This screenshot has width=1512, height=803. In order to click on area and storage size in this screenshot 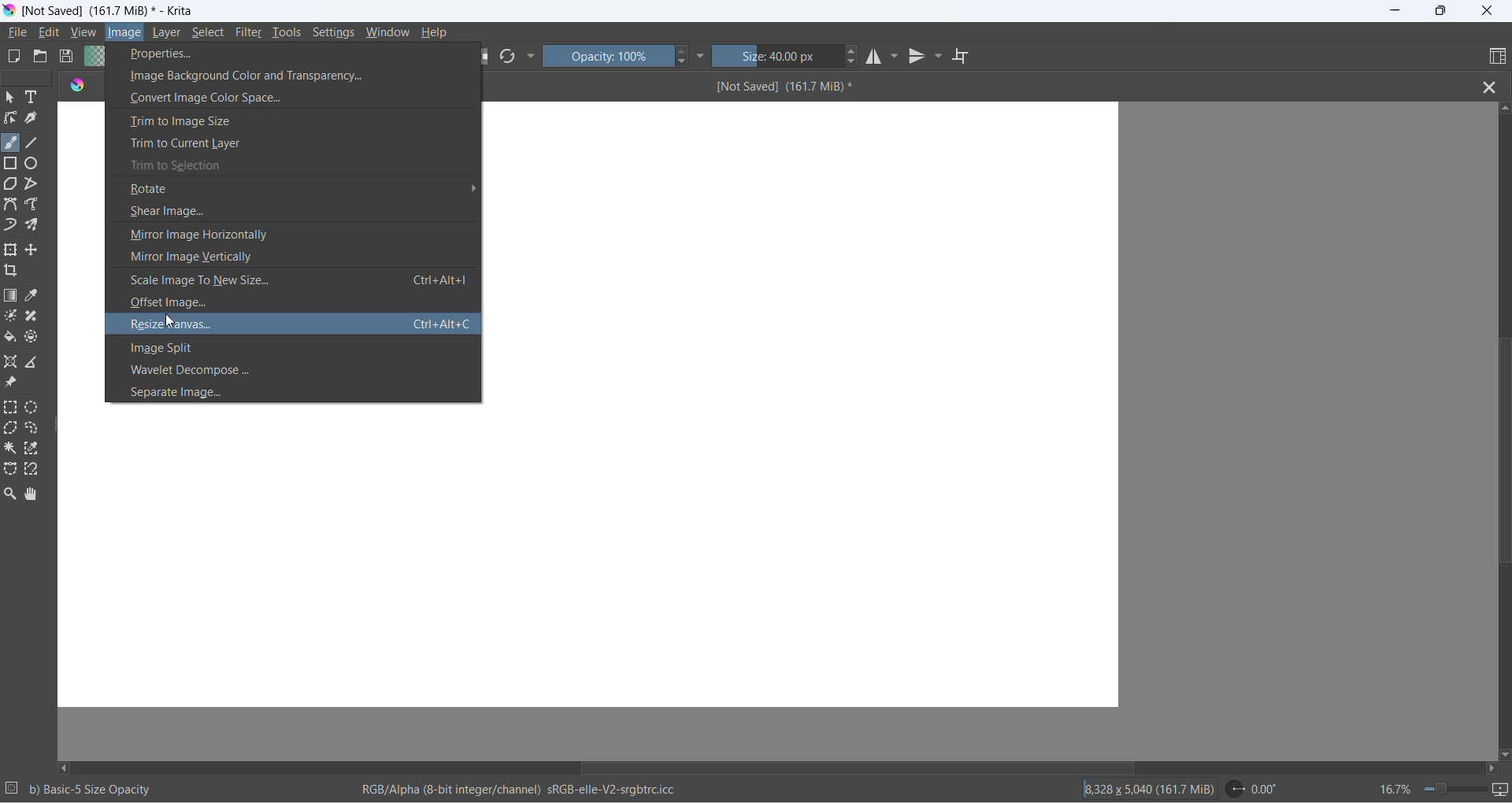, I will do `click(1149, 788)`.